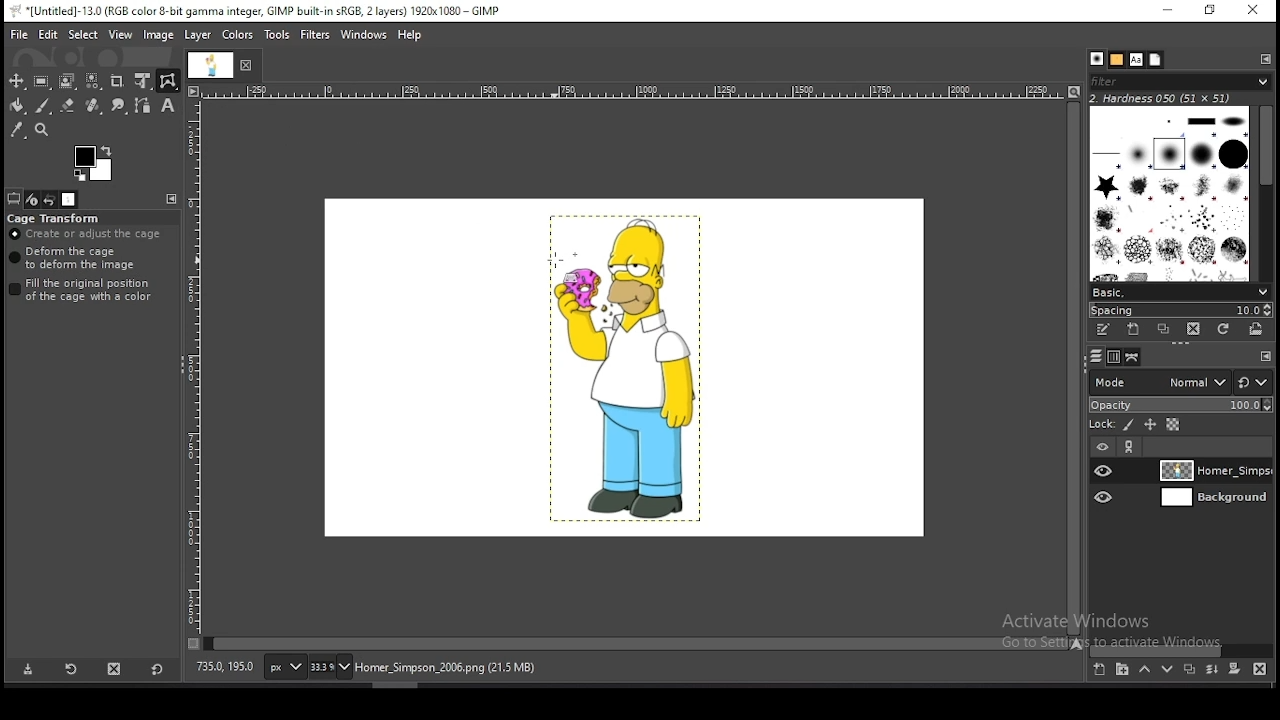 The image size is (1280, 720). Describe the element at coordinates (171, 202) in the screenshot. I see `configure this tab` at that location.